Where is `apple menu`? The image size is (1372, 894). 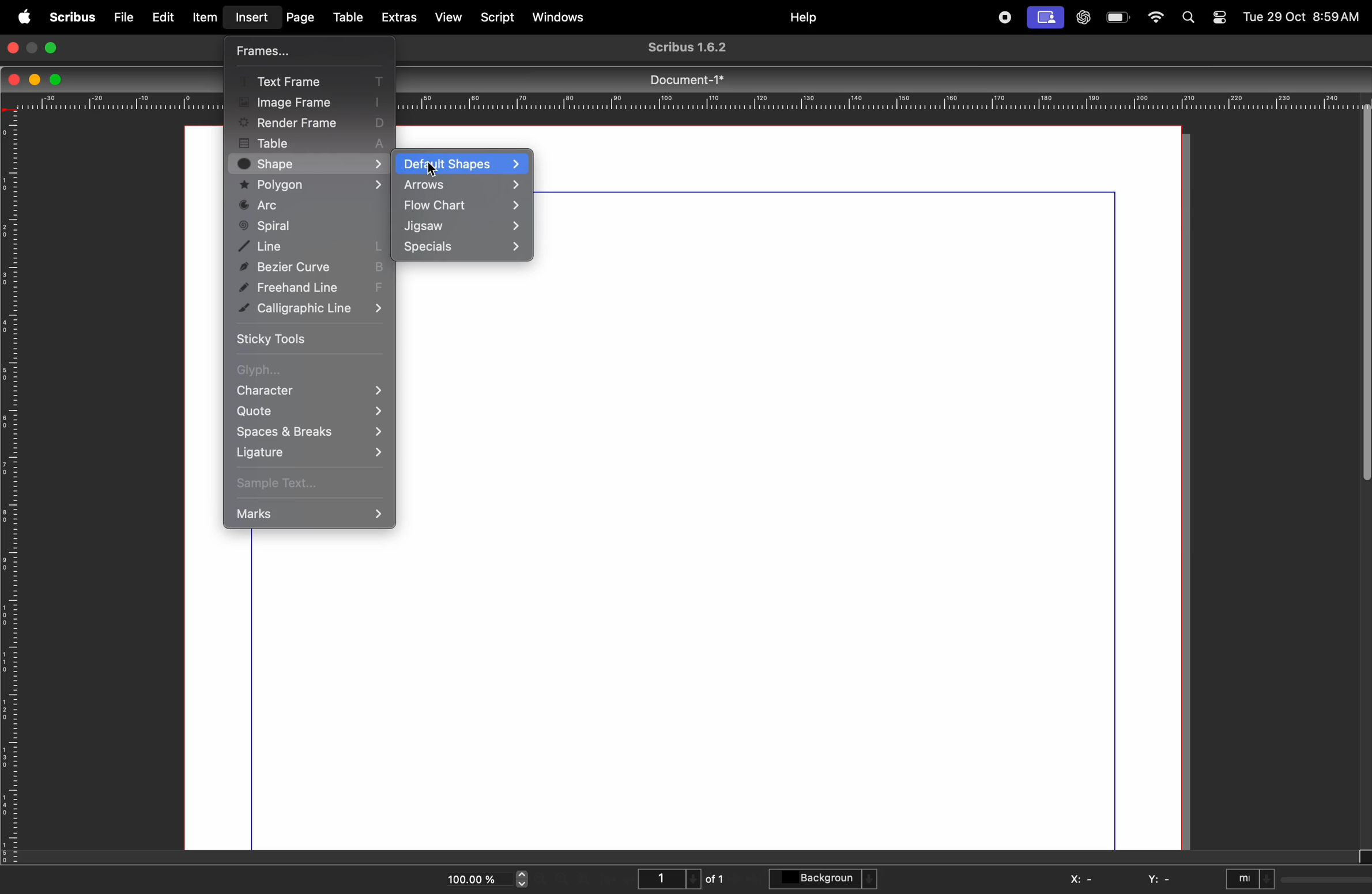 apple menu is located at coordinates (22, 16).